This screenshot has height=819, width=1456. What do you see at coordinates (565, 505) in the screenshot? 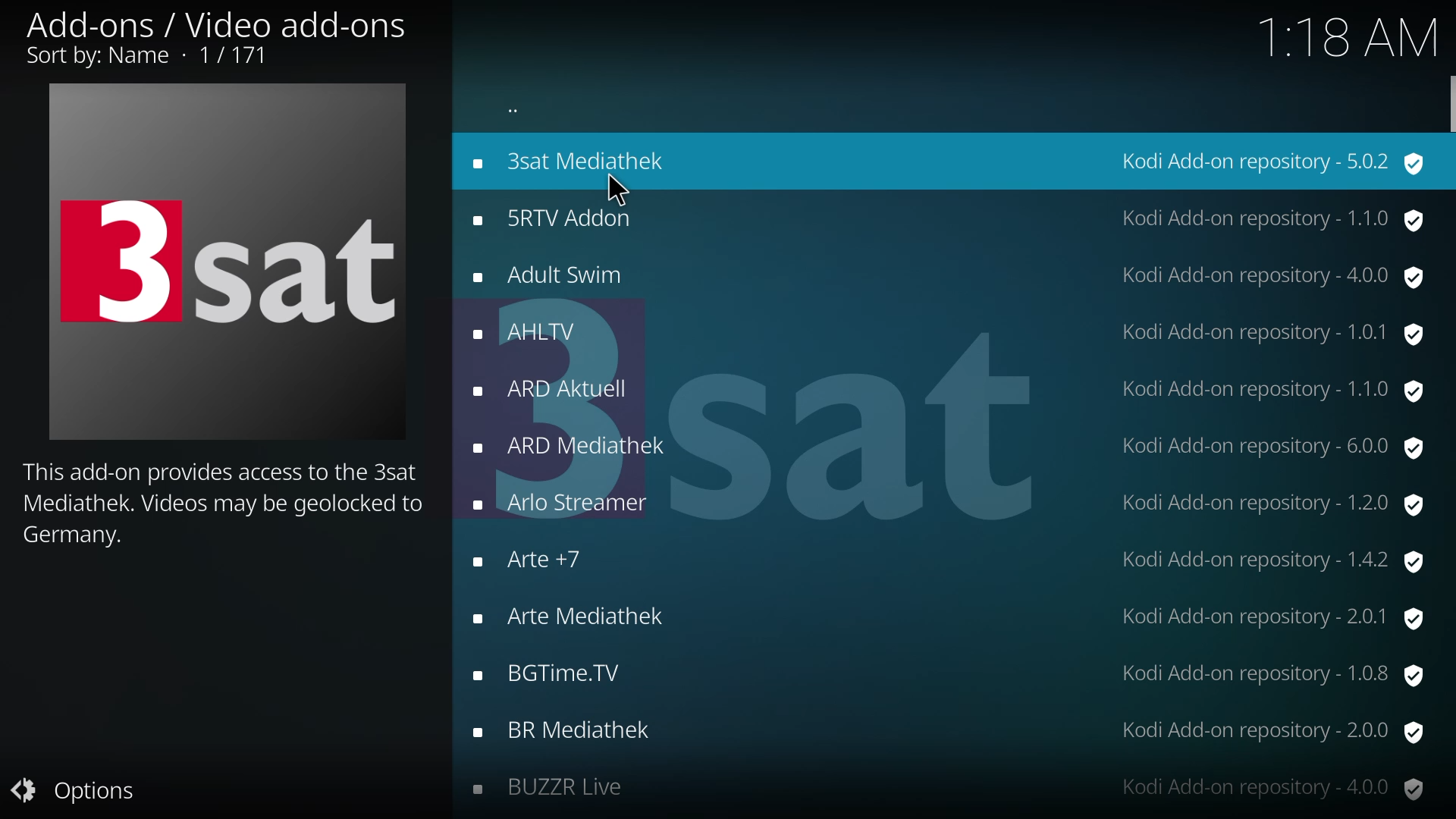
I see `` at bounding box center [565, 505].